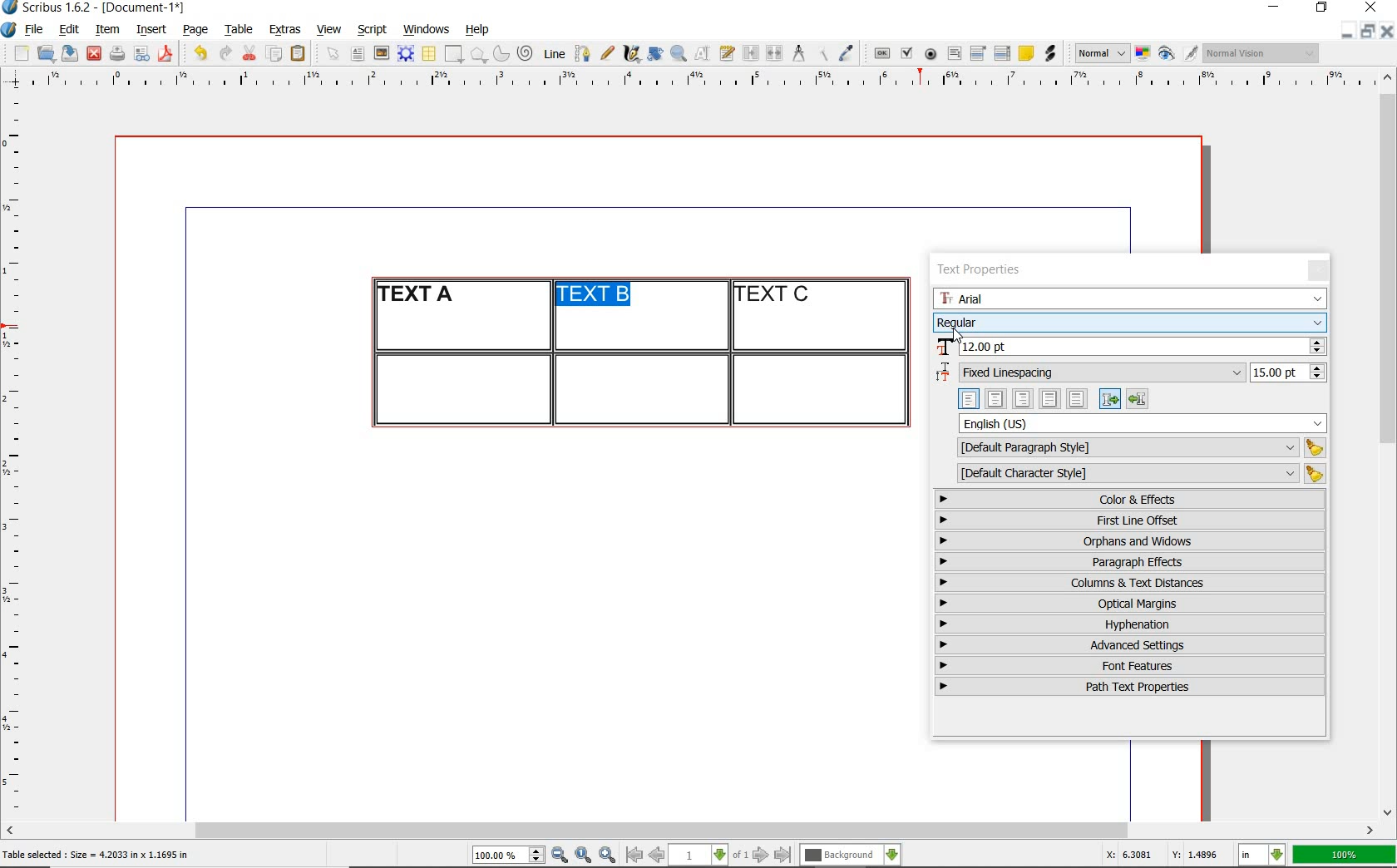 The width and height of the screenshot is (1397, 868). I want to click on freehand line, so click(607, 53).